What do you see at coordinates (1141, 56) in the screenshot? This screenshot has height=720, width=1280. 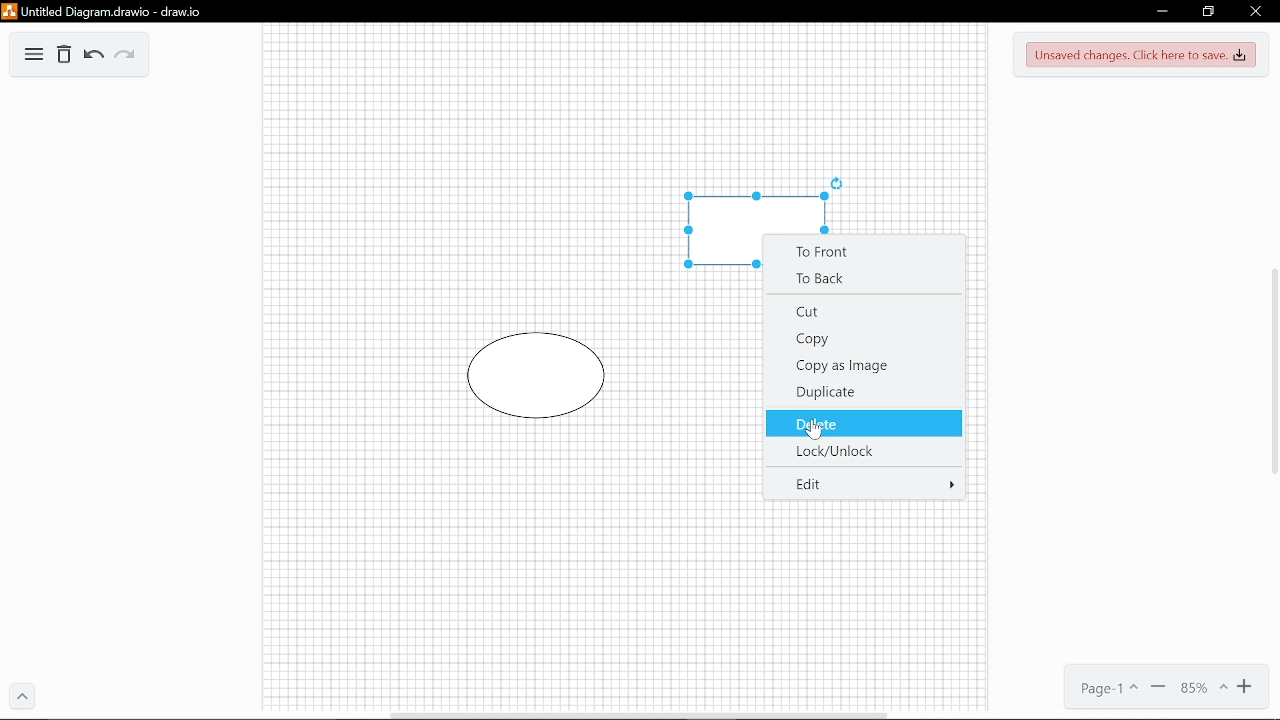 I see `Unsaved changes. Click here to save.` at bounding box center [1141, 56].